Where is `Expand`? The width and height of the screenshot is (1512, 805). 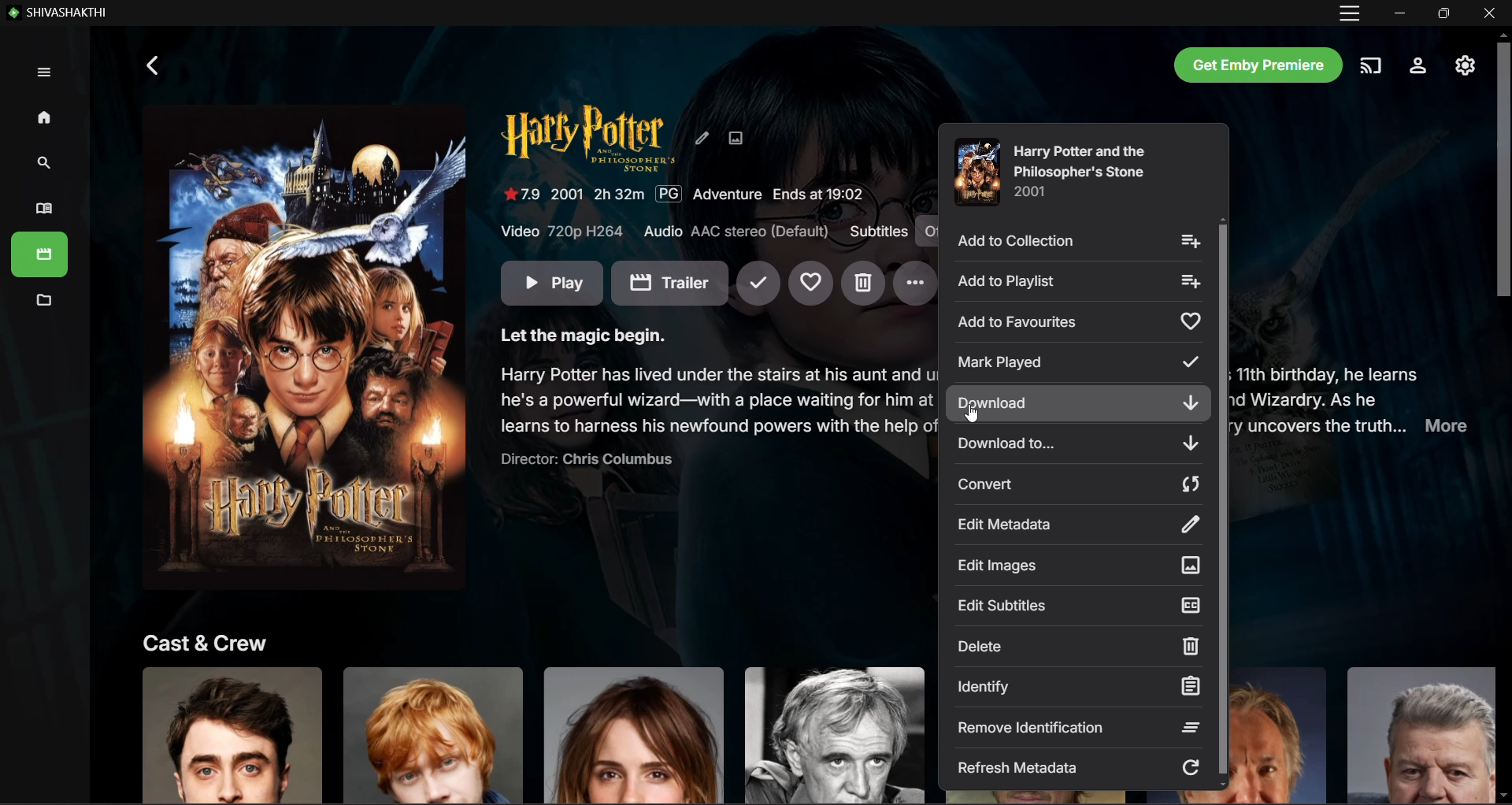
Expand is located at coordinates (44, 72).